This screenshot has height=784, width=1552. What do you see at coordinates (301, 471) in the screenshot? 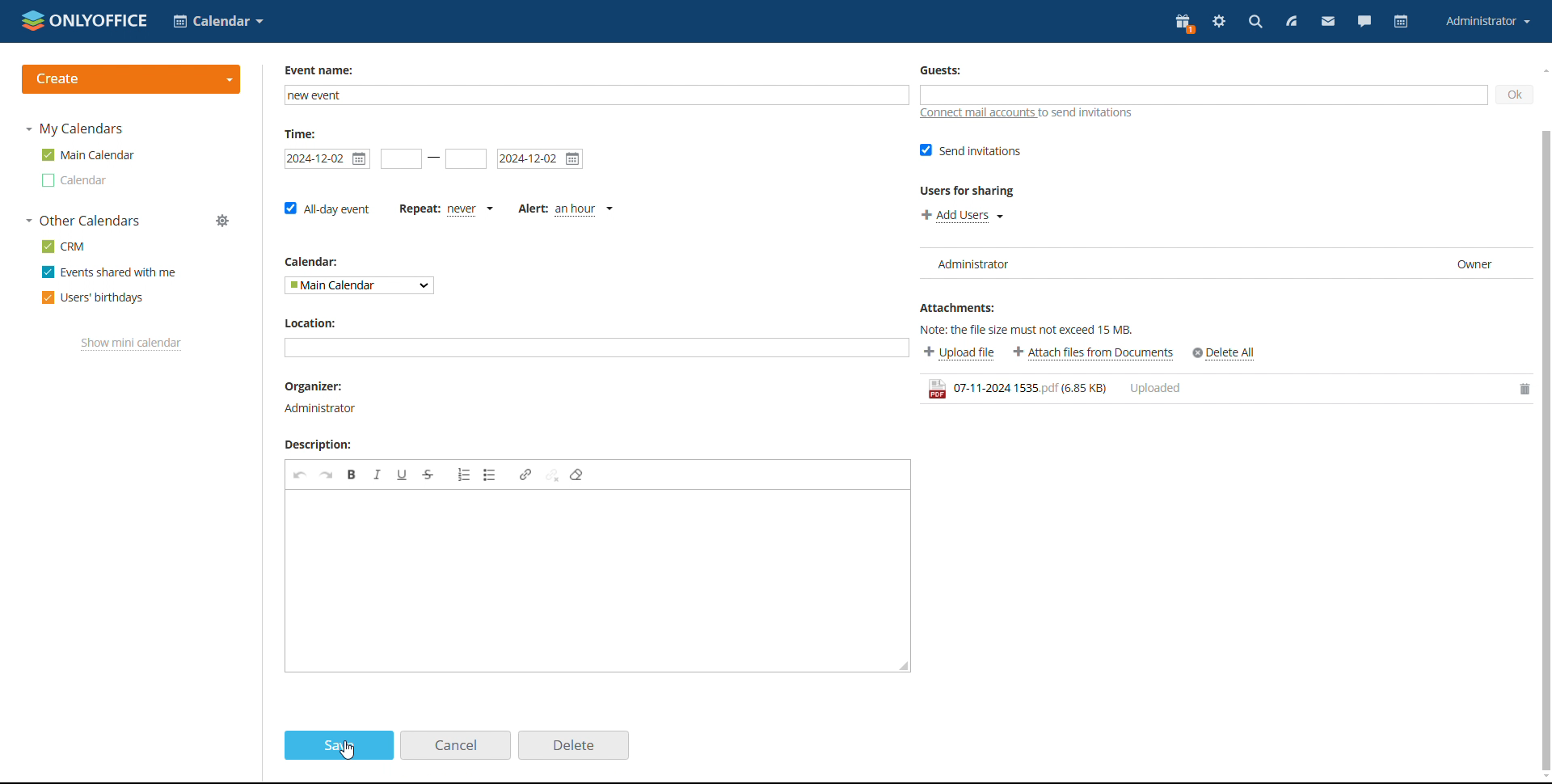
I see `undo` at bounding box center [301, 471].